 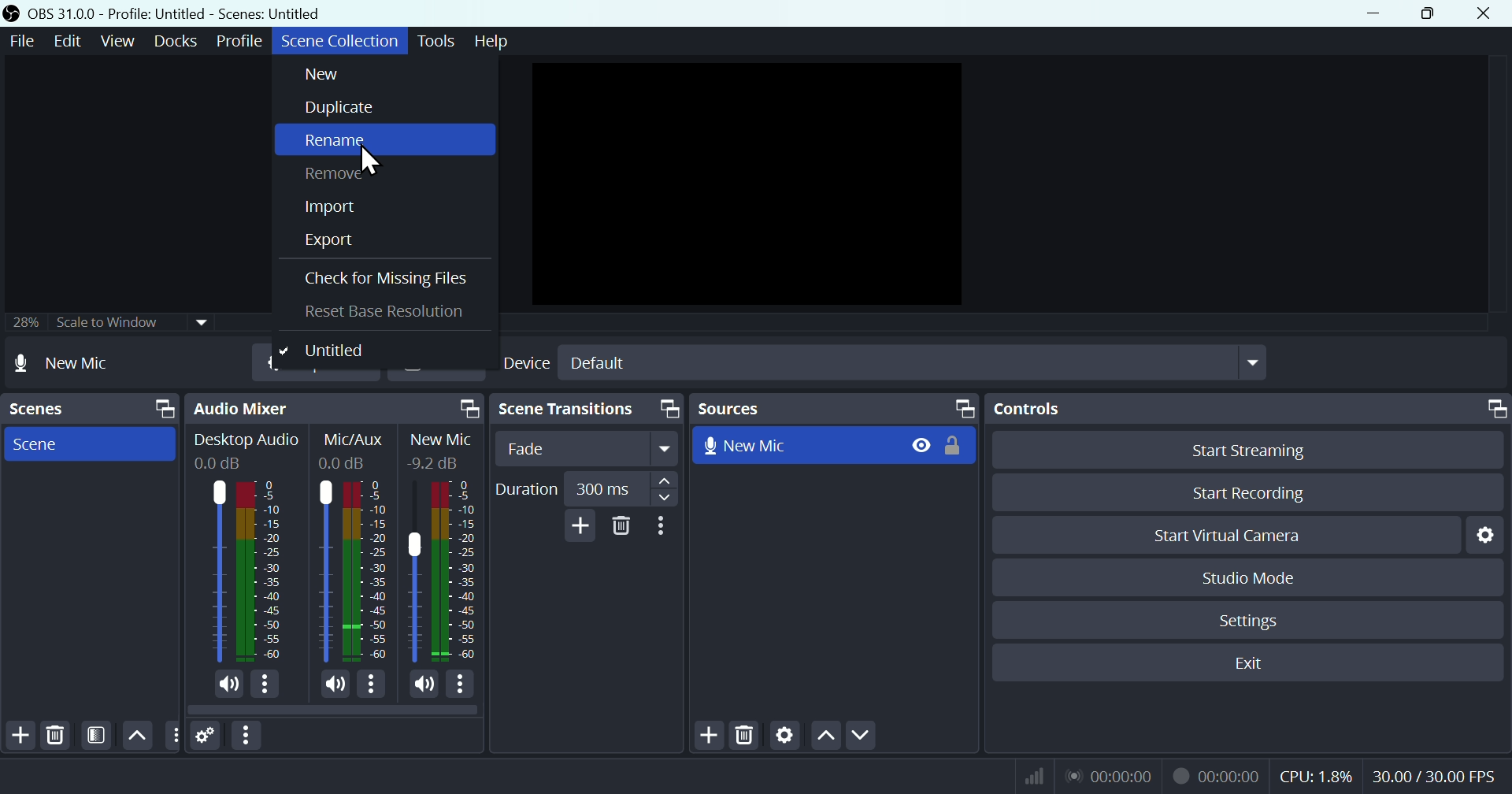 I want to click on New mic, so click(x=834, y=447).